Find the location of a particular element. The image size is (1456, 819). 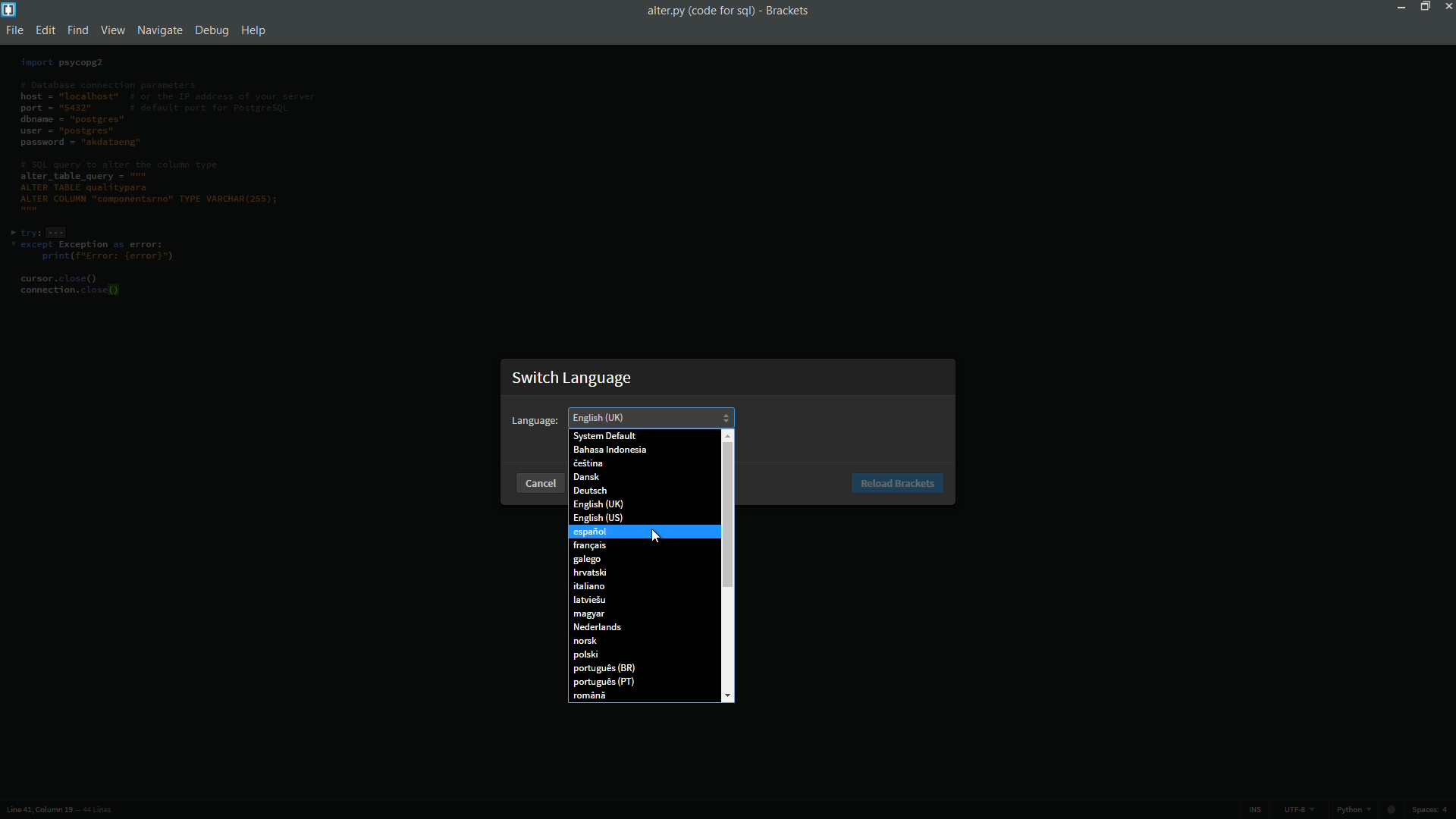

scroll up/scroll down  is located at coordinates (731, 419).